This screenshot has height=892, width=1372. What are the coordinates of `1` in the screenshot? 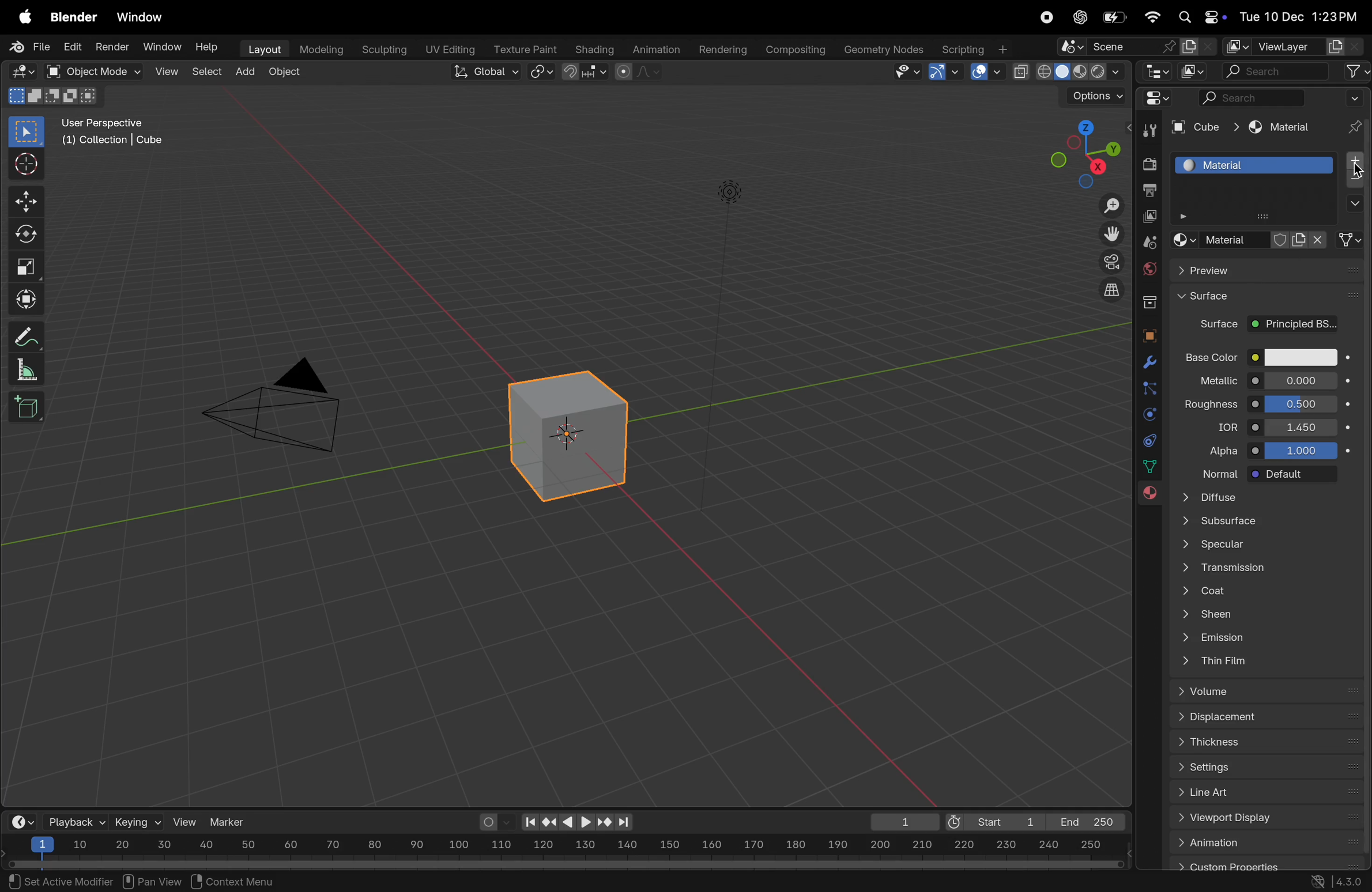 It's located at (900, 822).